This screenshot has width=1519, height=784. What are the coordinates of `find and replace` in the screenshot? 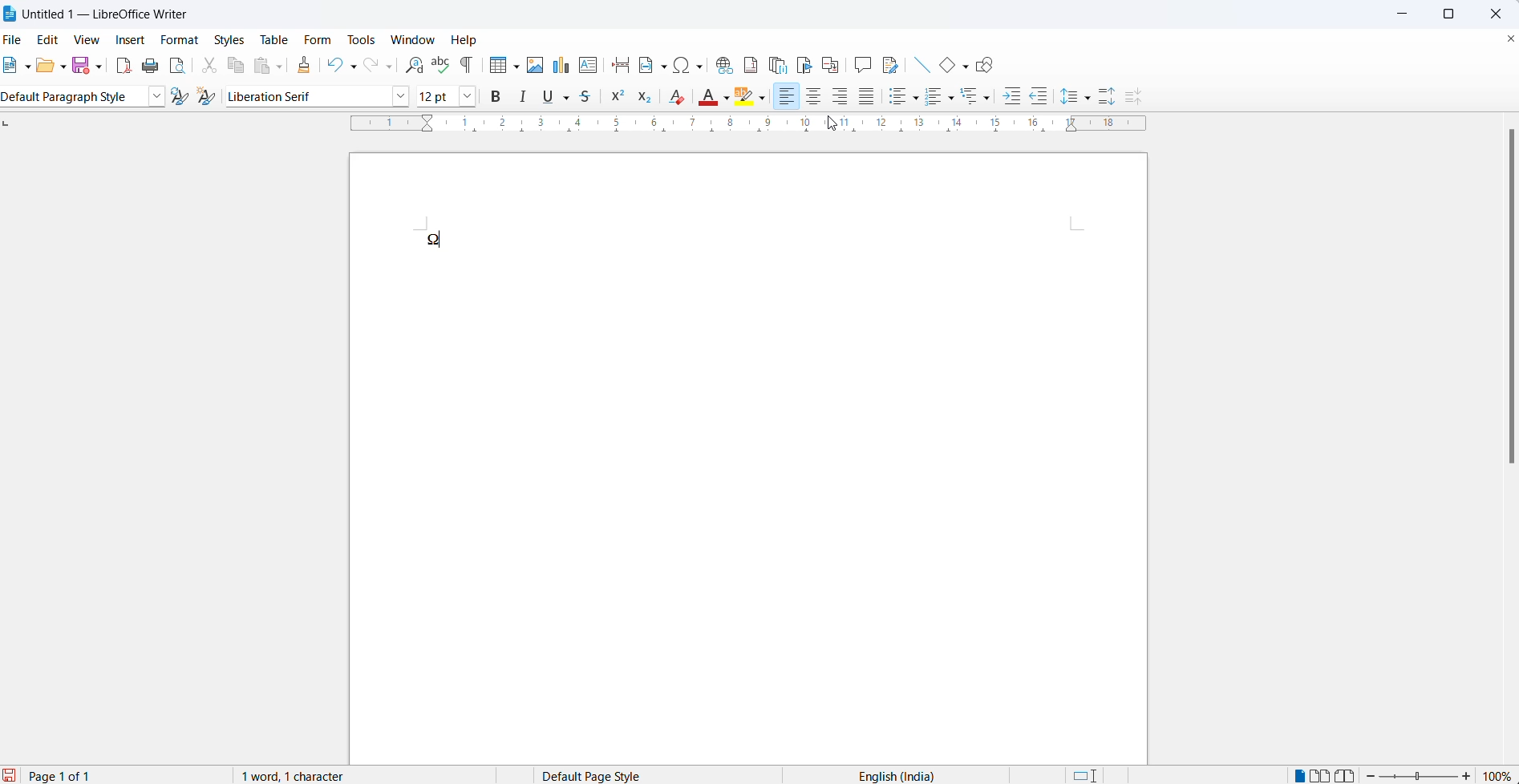 It's located at (415, 64).